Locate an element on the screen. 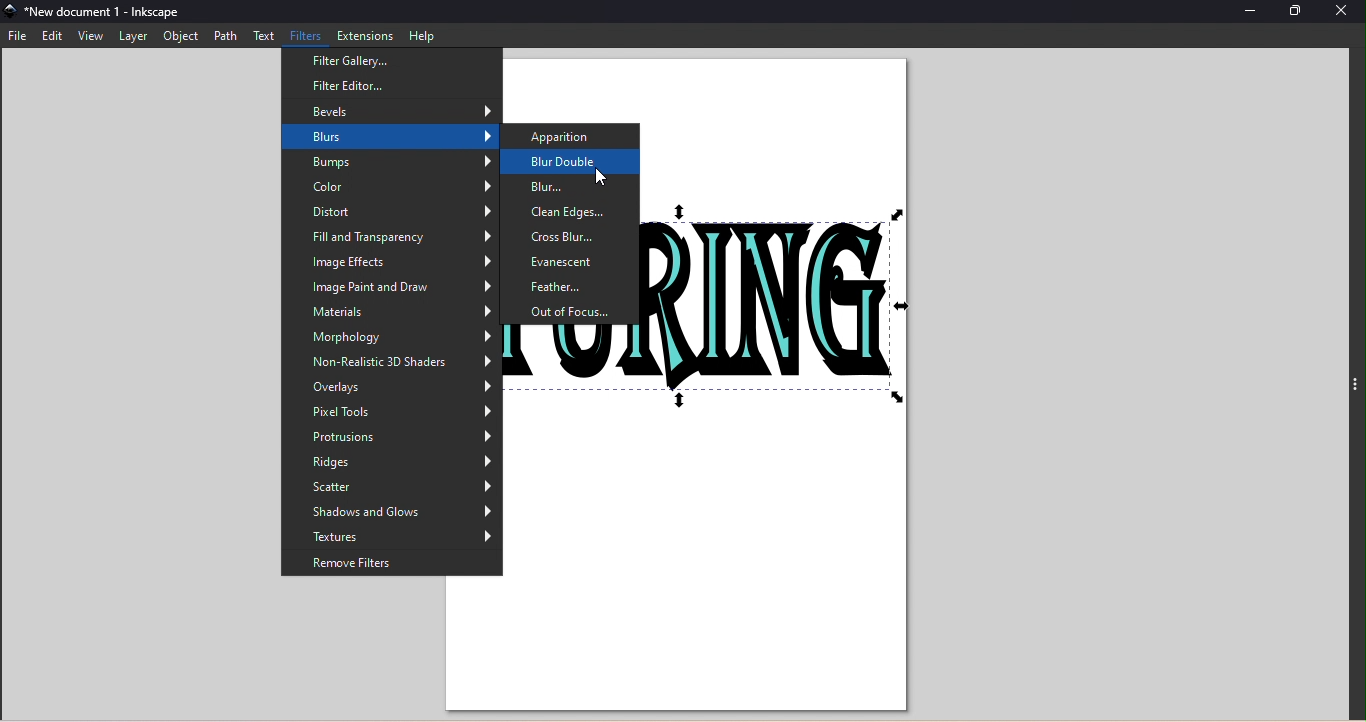 This screenshot has width=1366, height=722. Color is located at coordinates (392, 187).